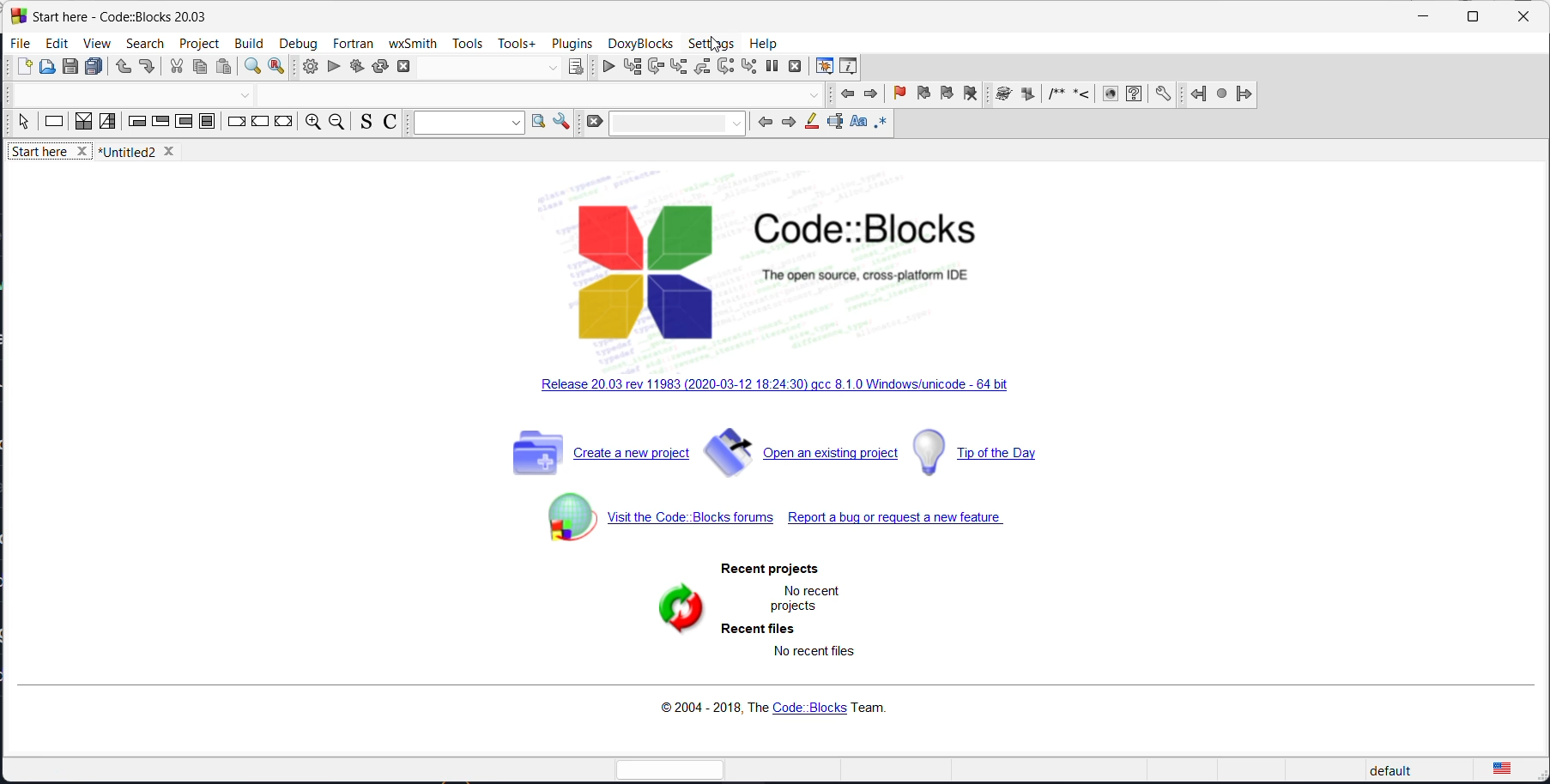 The width and height of the screenshot is (1550, 784). What do you see at coordinates (412, 43) in the screenshot?
I see `wxSmith` at bounding box center [412, 43].